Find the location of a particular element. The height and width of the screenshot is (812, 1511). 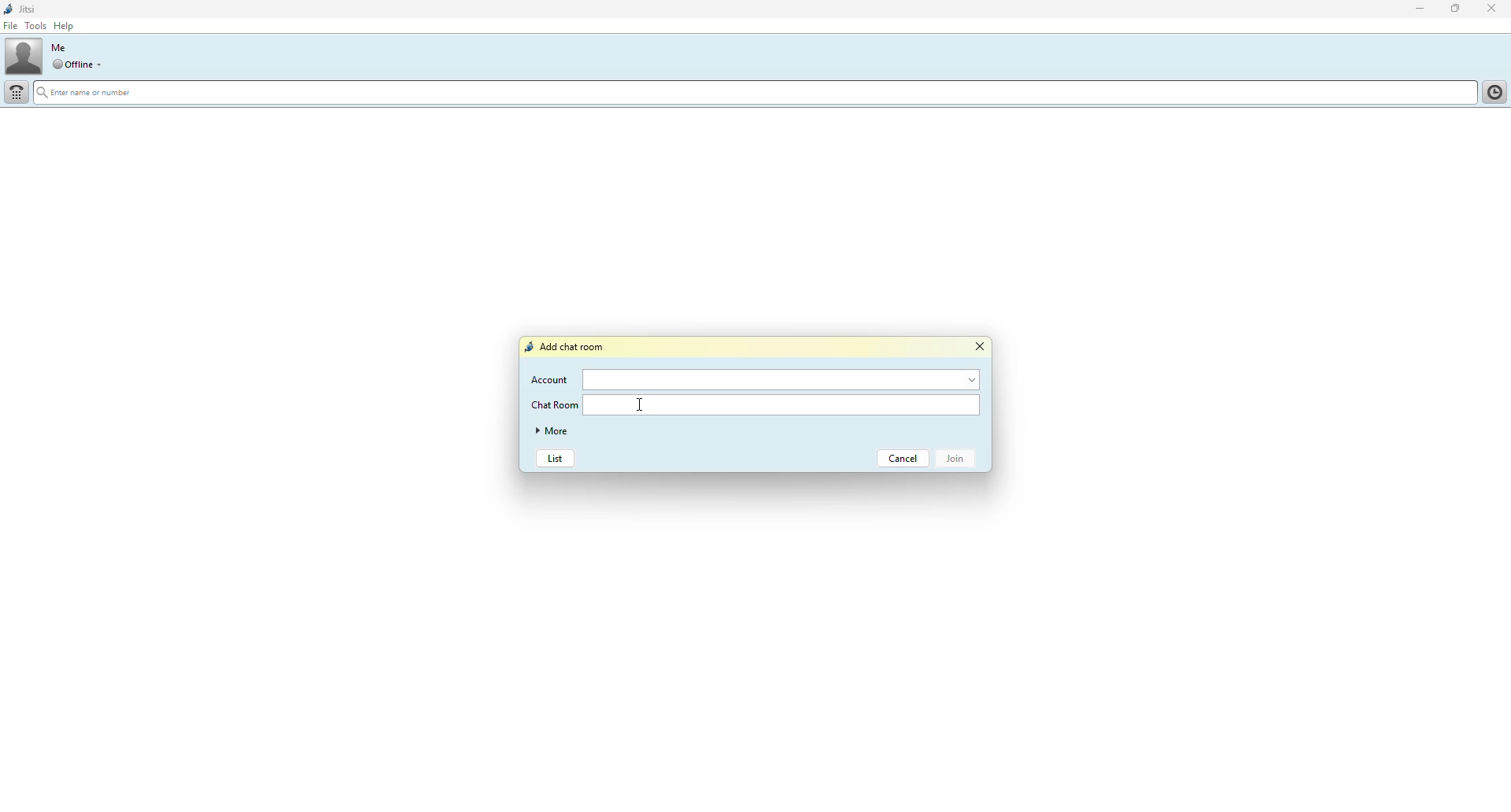

more is located at coordinates (552, 432).